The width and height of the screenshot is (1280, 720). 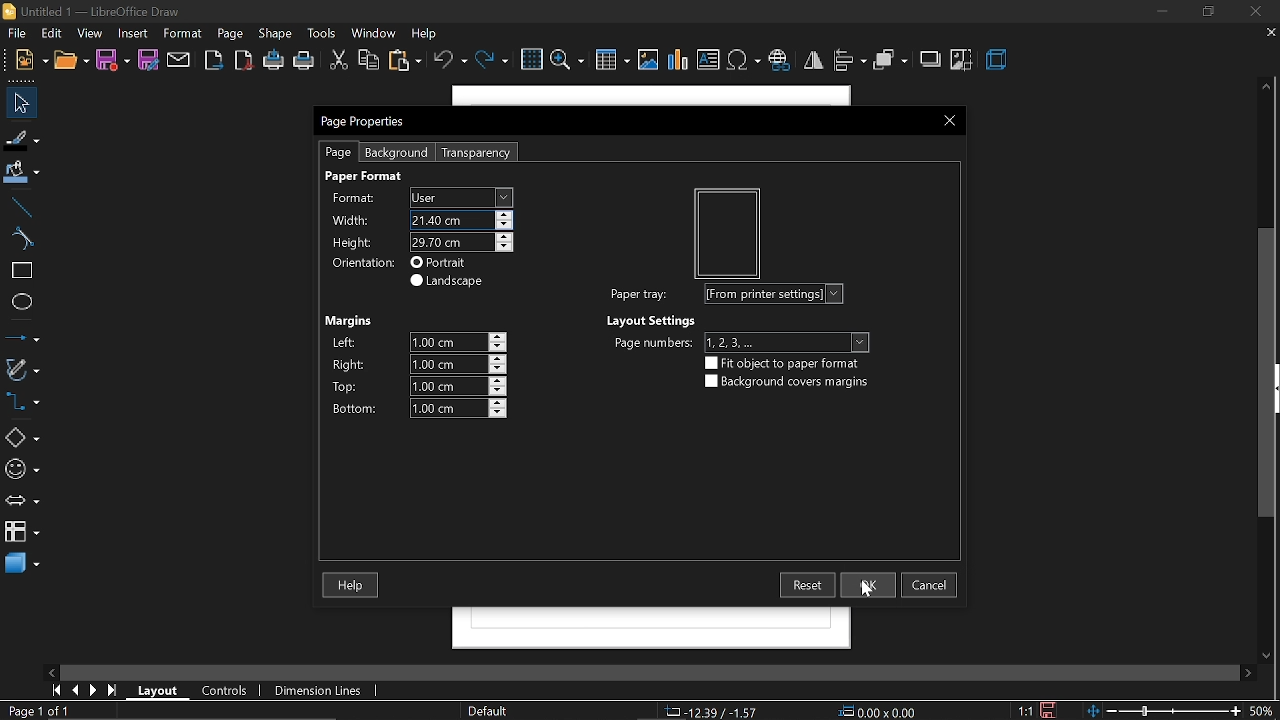 I want to click on insert hyperlink, so click(x=782, y=59).